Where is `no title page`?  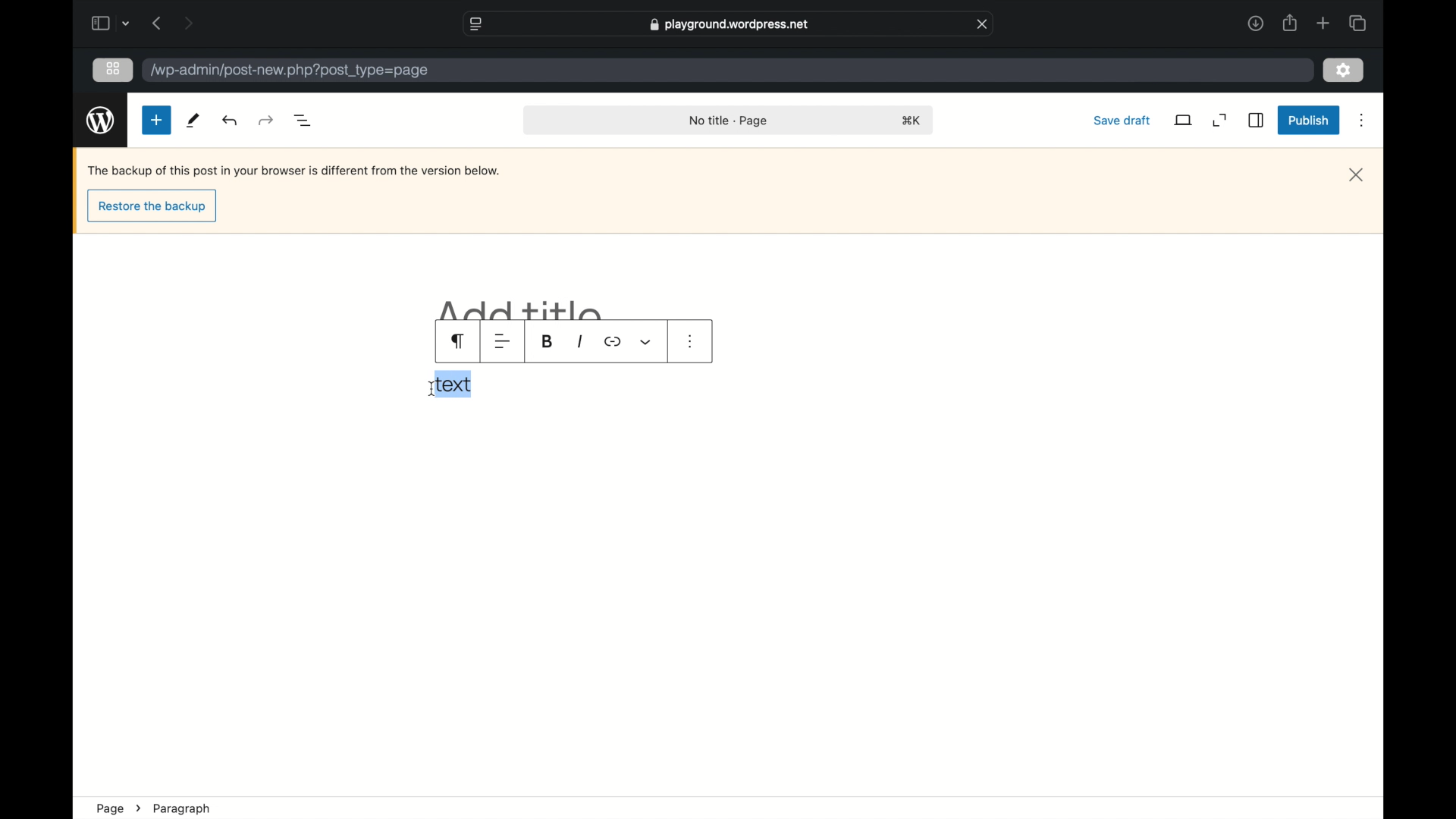
no title page is located at coordinates (730, 120).